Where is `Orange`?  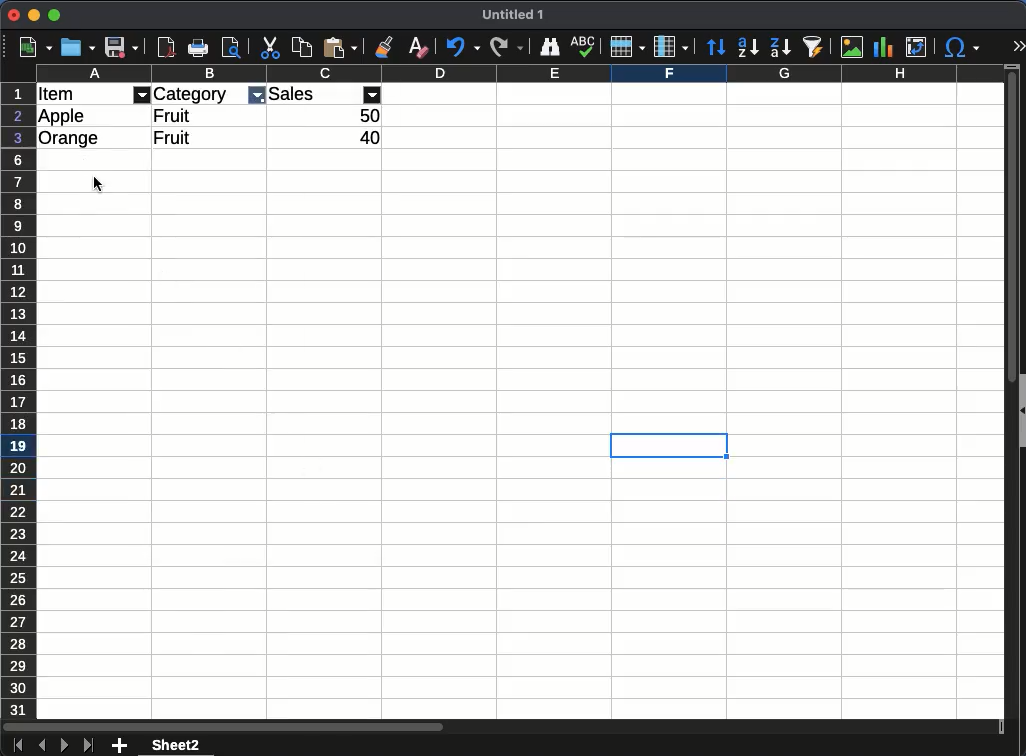
Orange is located at coordinates (70, 139).